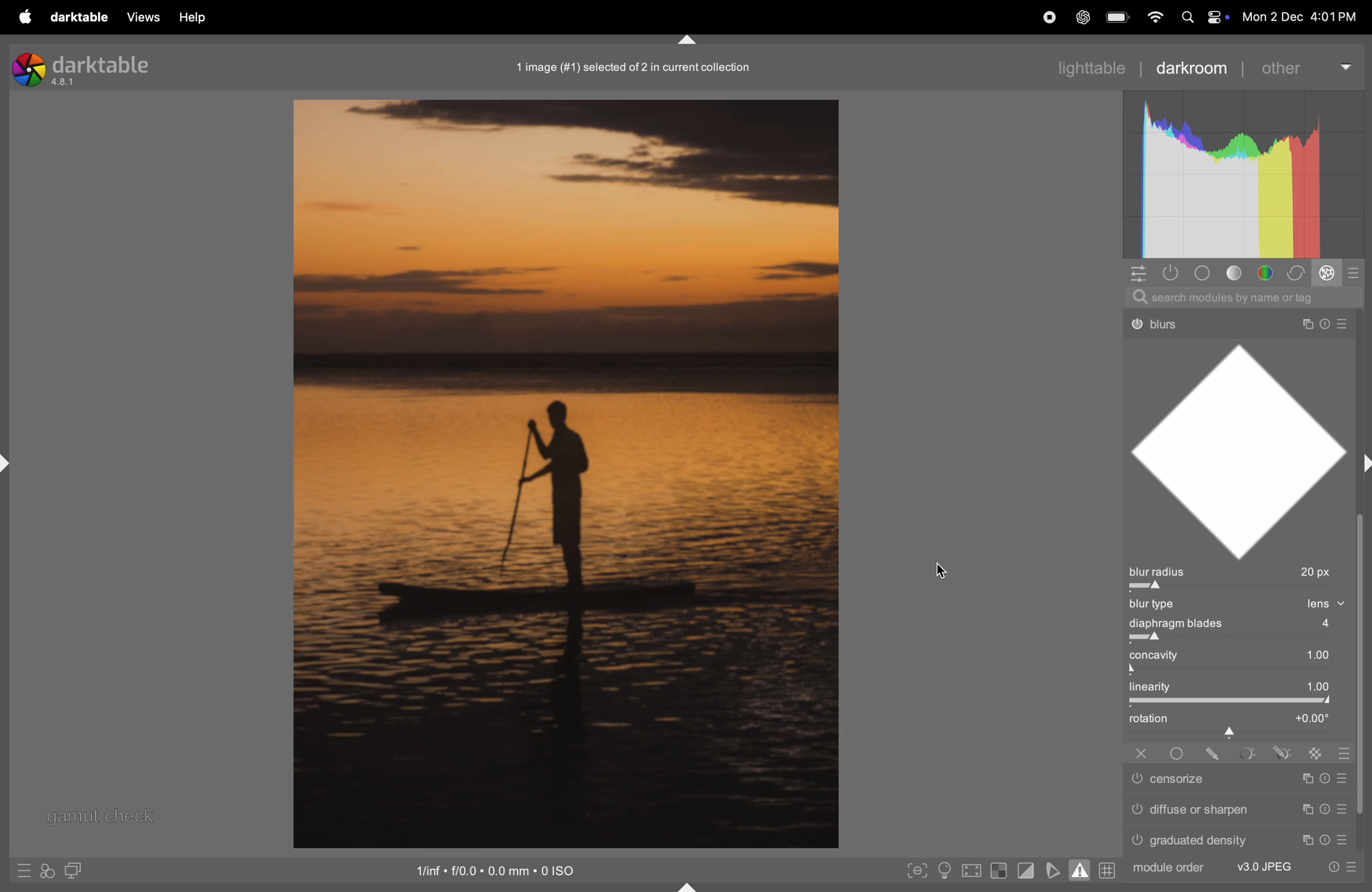  Describe the element at coordinates (1245, 448) in the screenshot. I see `shape` at that location.